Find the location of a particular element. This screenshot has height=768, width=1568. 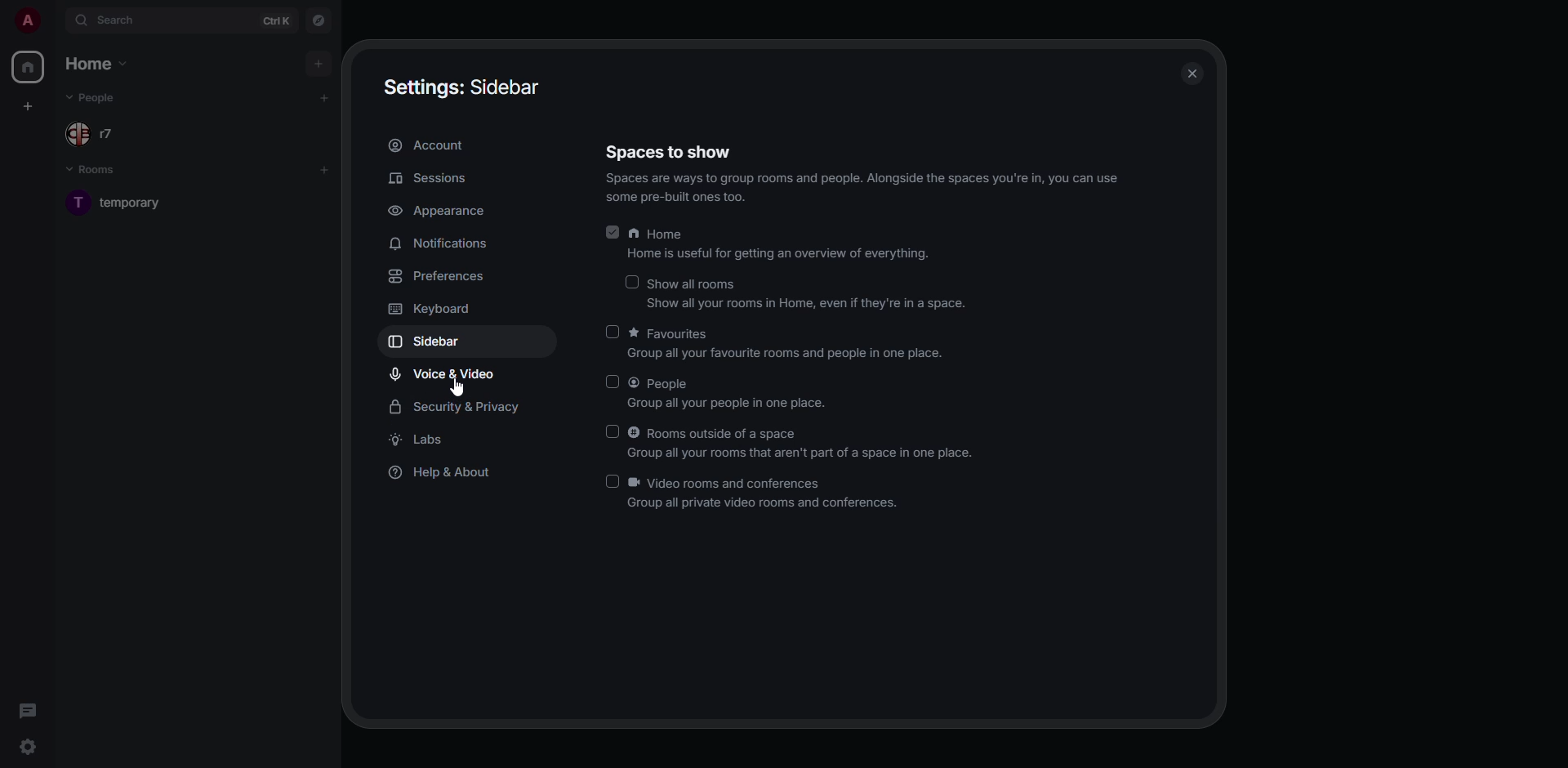

video rooms and conferences is located at coordinates (767, 493).